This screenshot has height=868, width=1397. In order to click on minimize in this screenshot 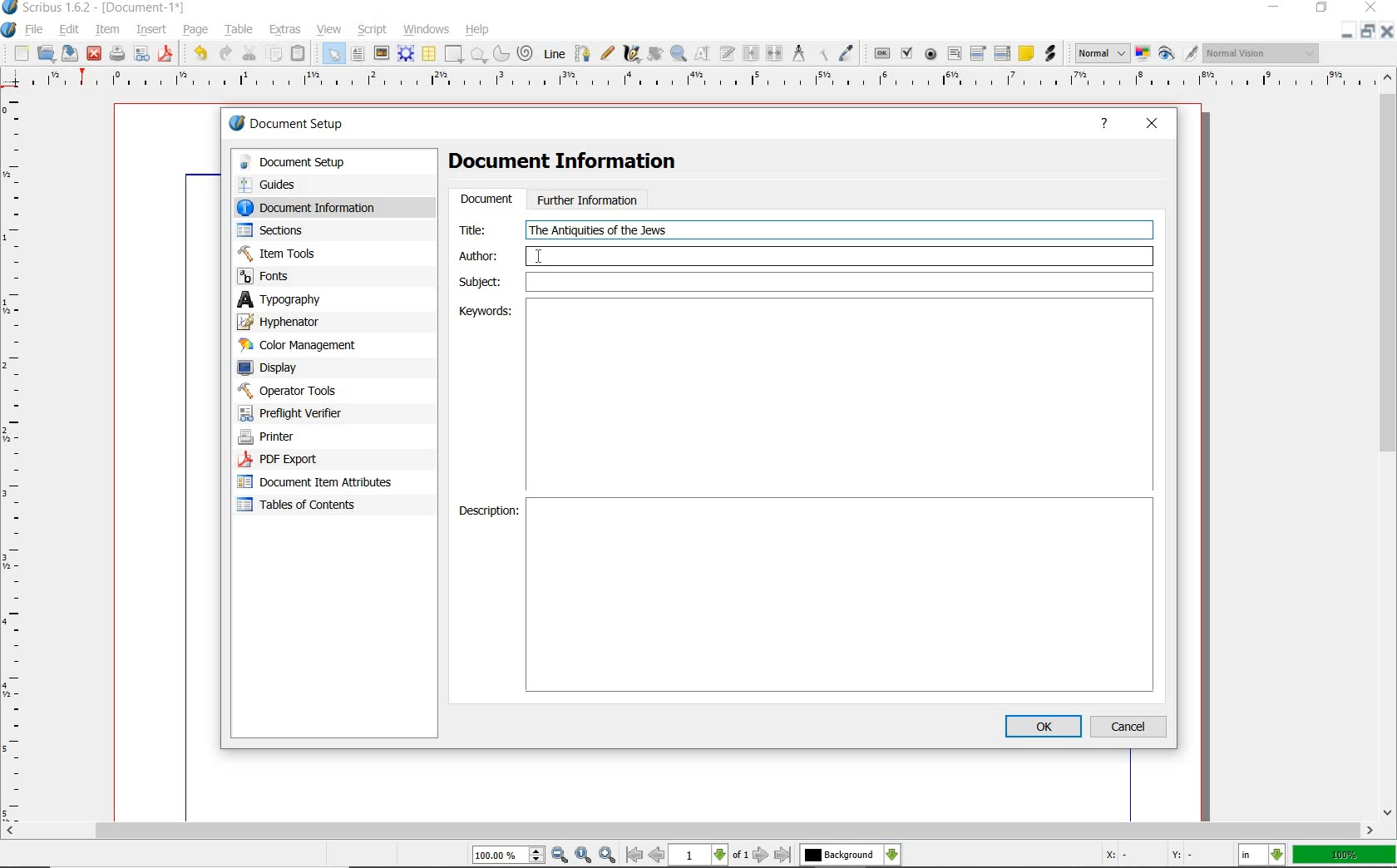, I will do `click(1349, 29)`.